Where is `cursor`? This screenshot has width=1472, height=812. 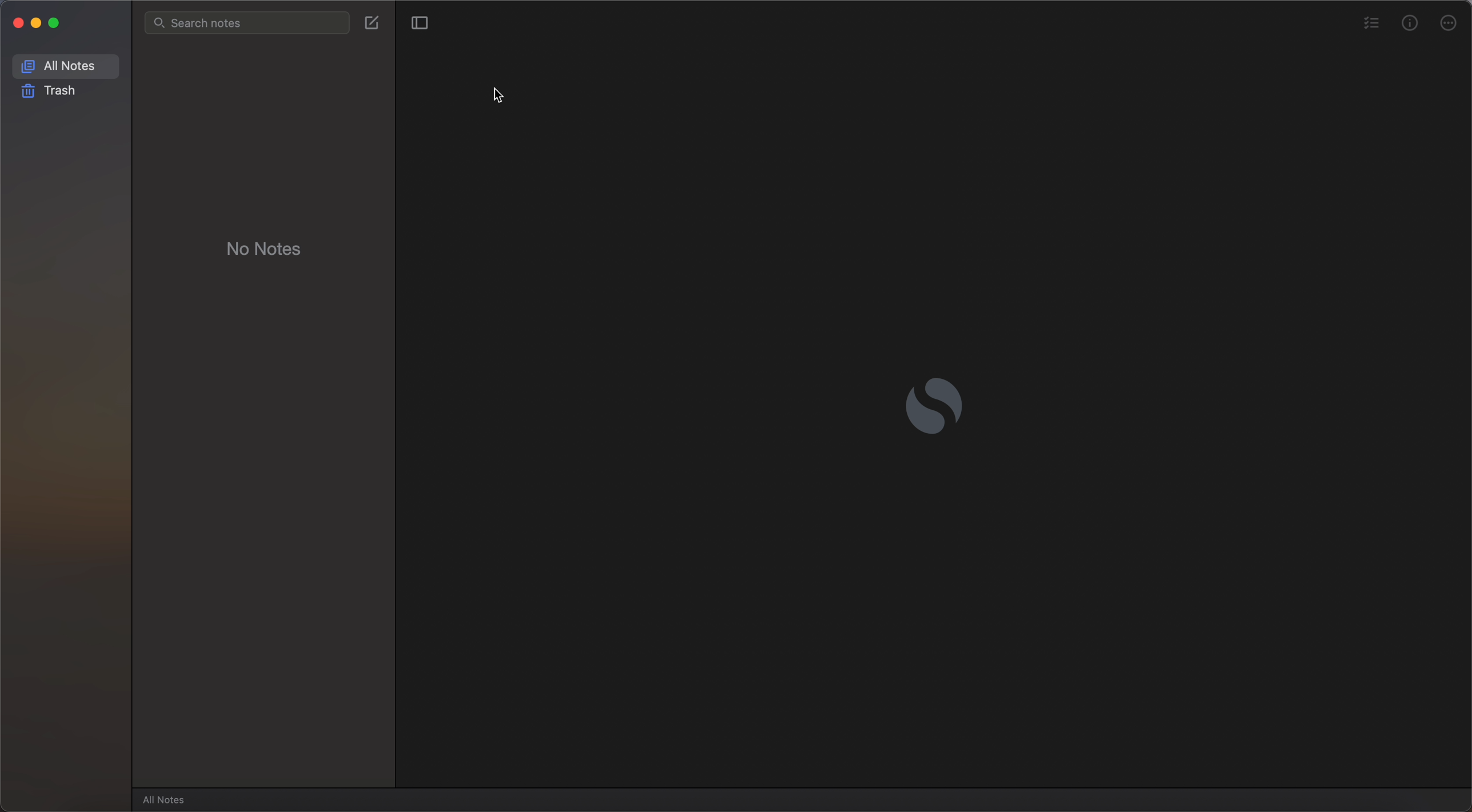
cursor is located at coordinates (501, 94).